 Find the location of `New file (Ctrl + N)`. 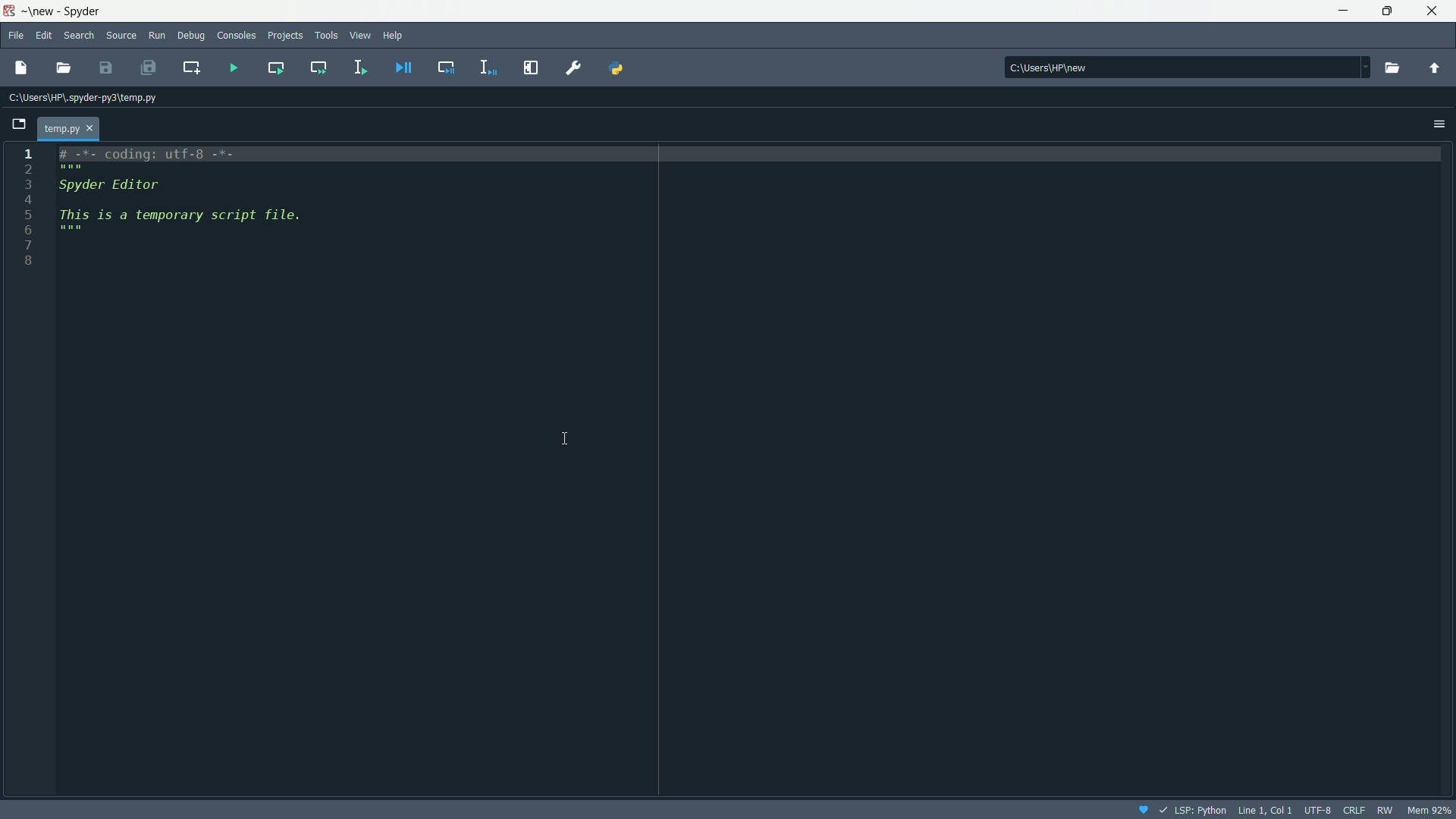

New file (Ctrl + N) is located at coordinates (24, 64).